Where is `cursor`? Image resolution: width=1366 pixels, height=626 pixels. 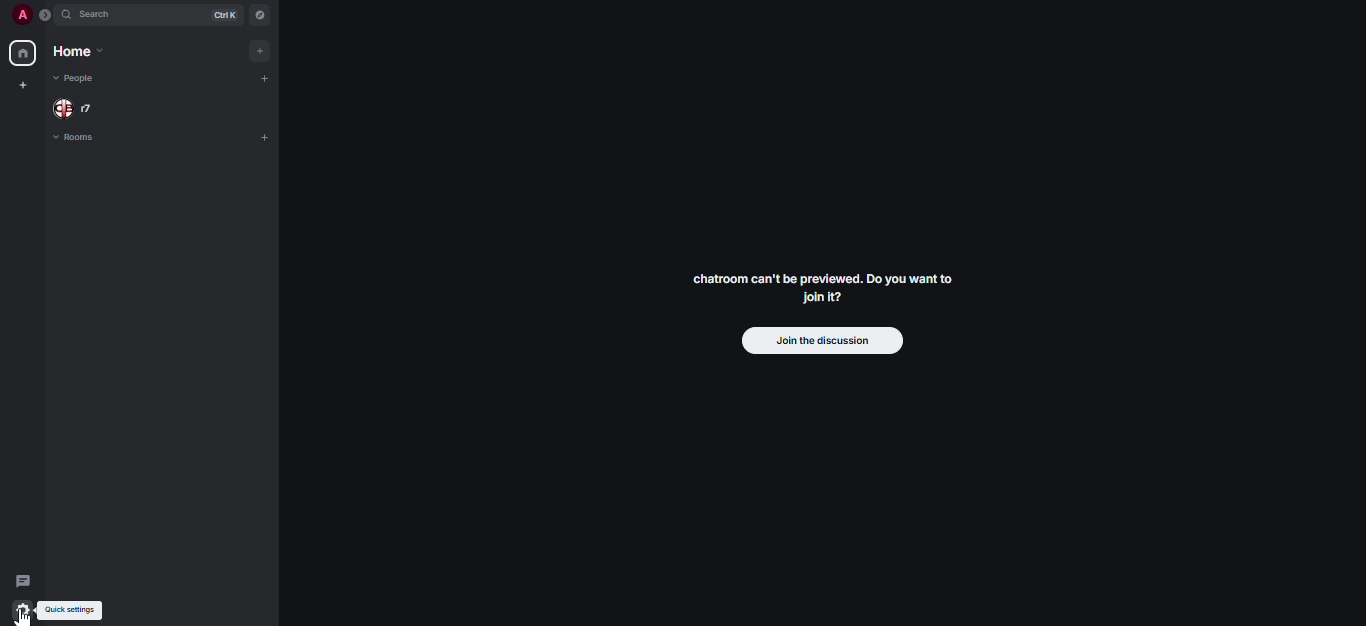 cursor is located at coordinates (28, 613).